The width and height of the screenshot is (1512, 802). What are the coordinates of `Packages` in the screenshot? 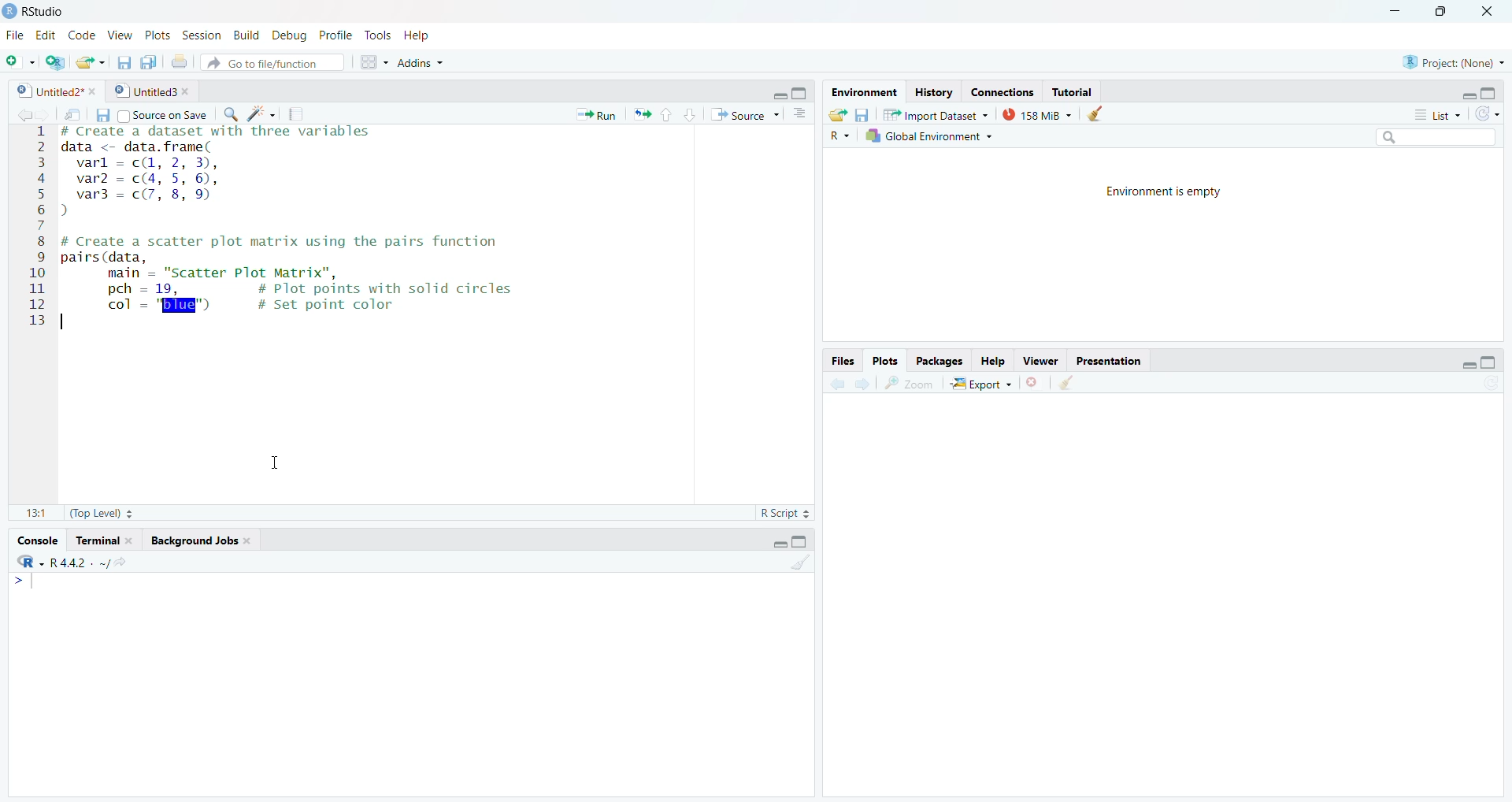 It's located at (942, 360).